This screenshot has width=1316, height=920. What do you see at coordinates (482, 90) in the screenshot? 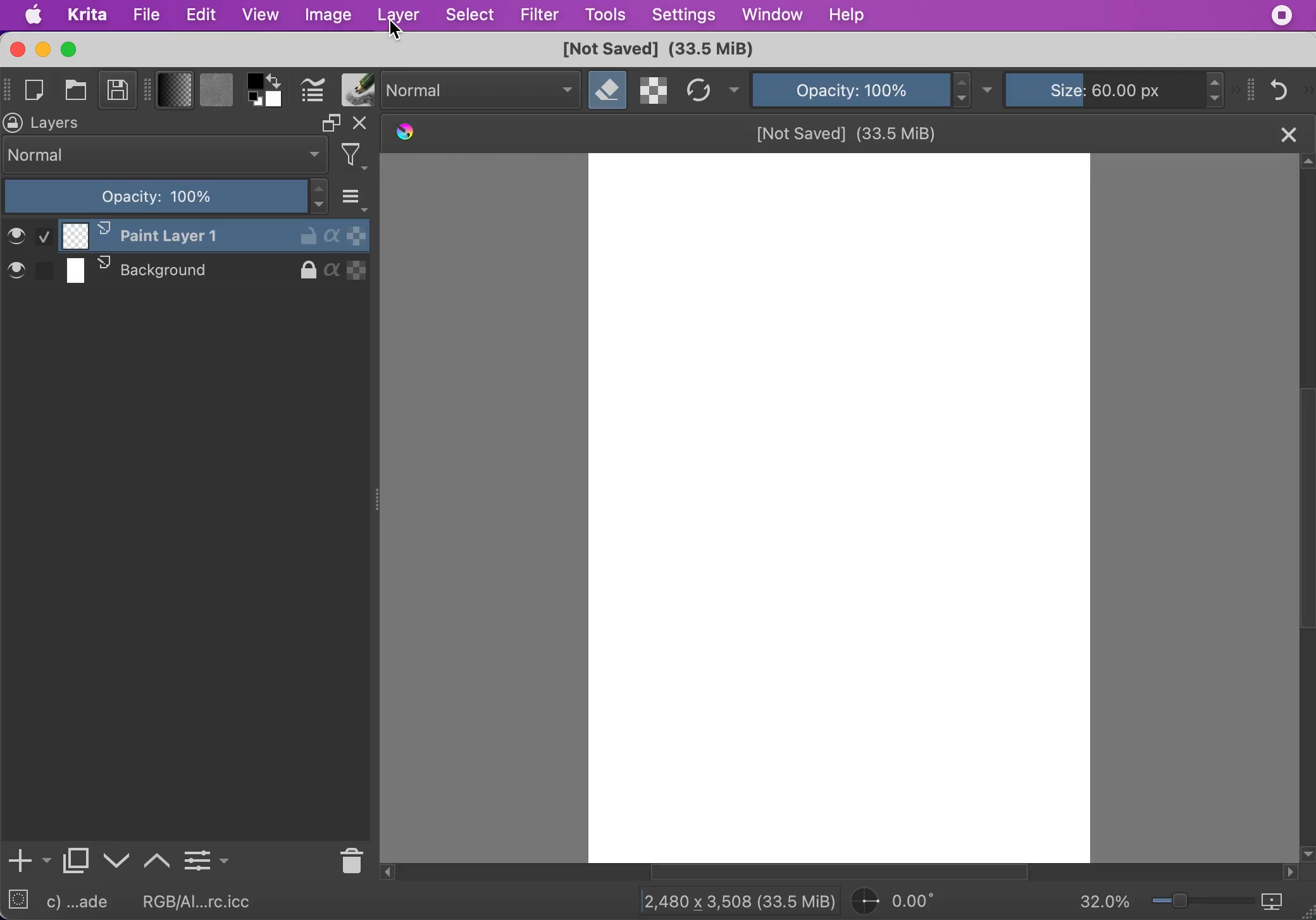
I see `blending mode` at bounding box center [482, 90].